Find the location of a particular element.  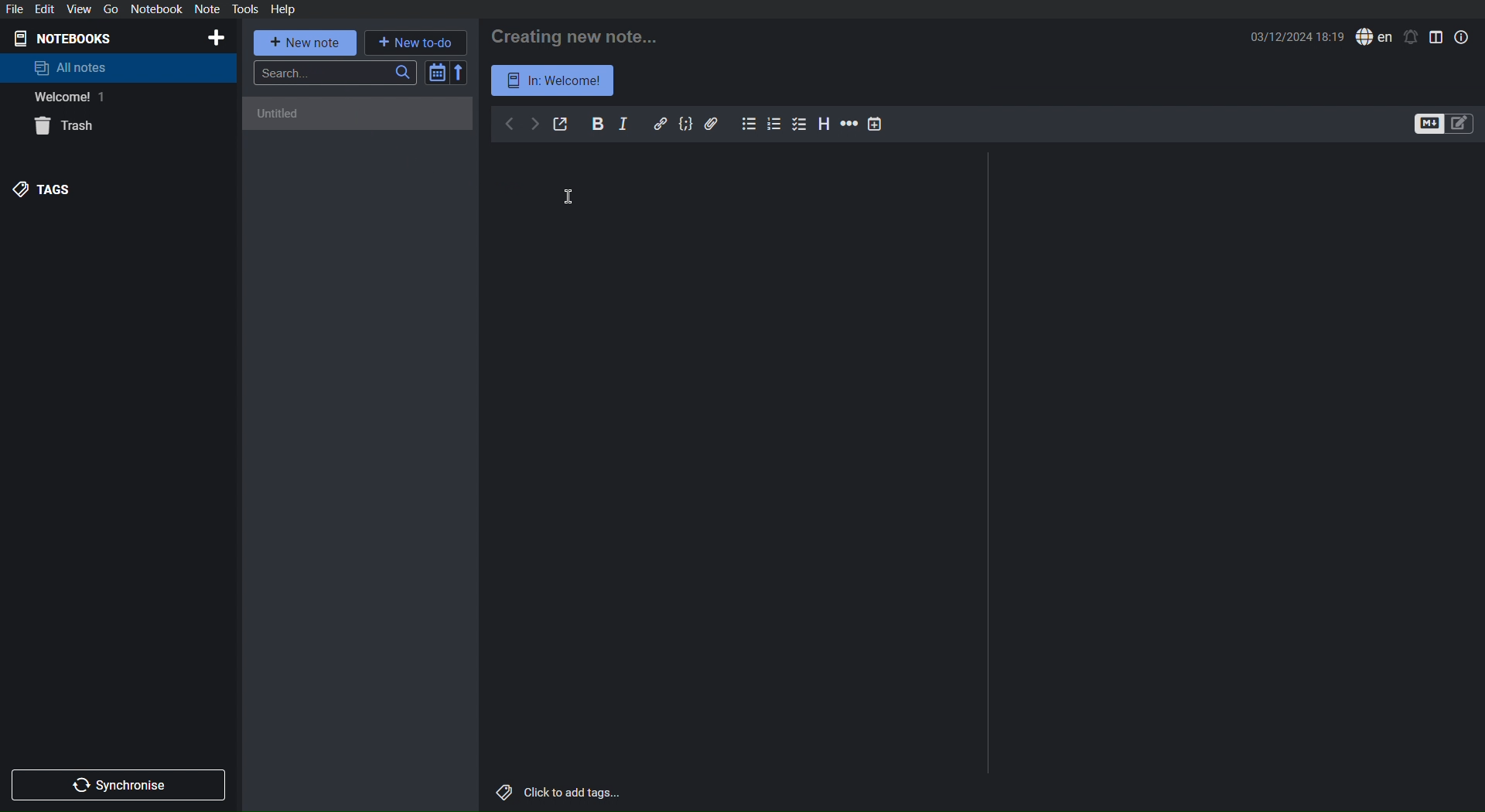

Go is located at coordinates (108, 9).